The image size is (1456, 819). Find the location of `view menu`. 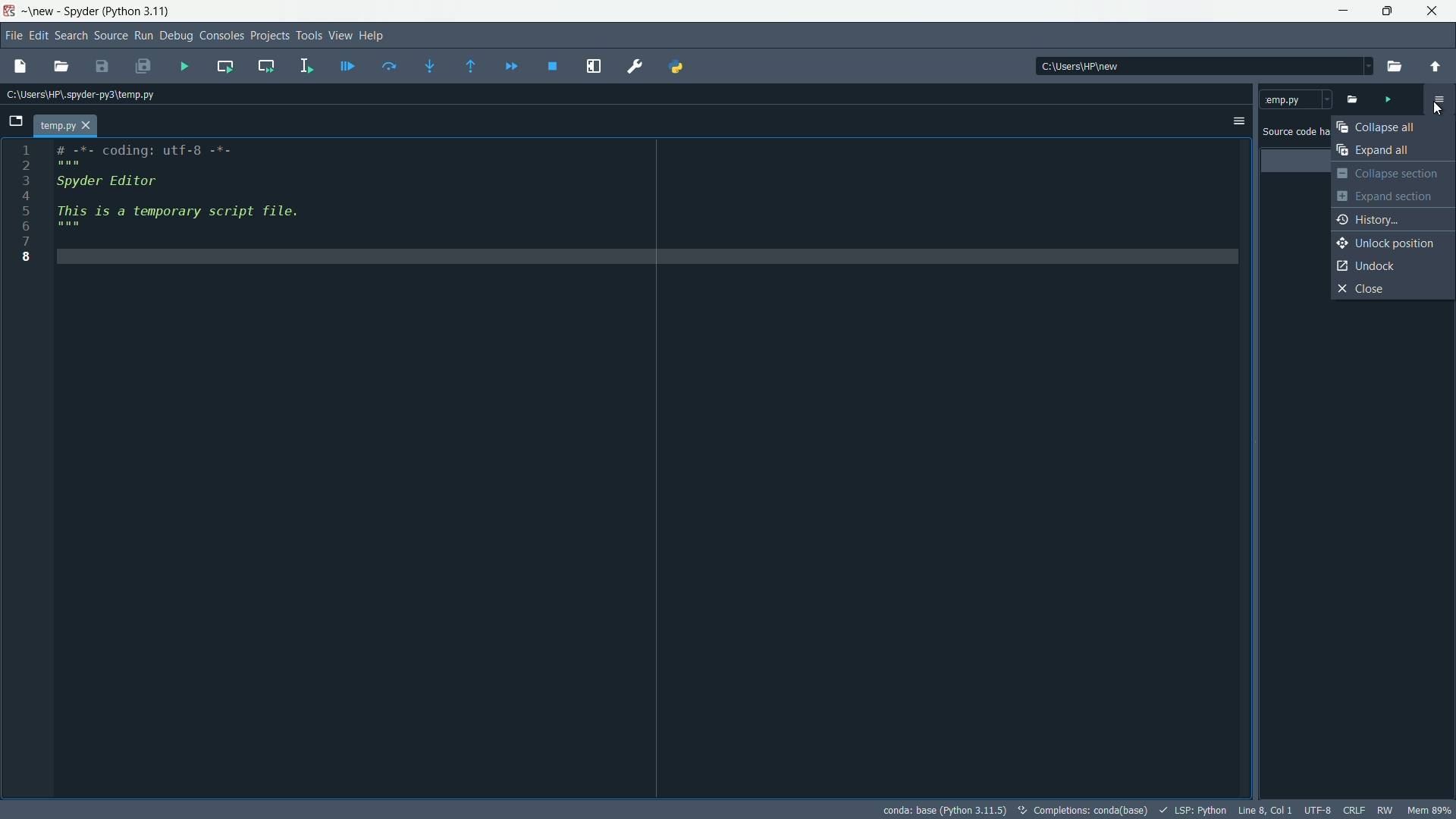

view menu is located at coordinates (338, 35).